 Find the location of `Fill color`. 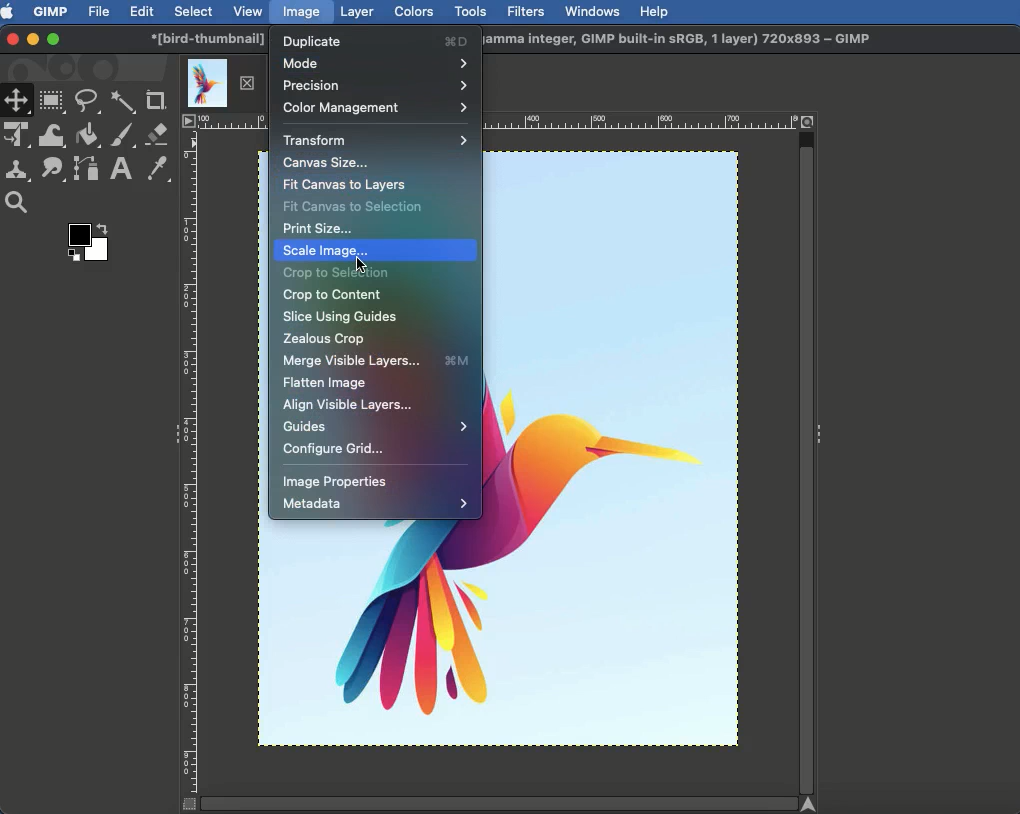

Fill color is located at coordinates (89, 136).